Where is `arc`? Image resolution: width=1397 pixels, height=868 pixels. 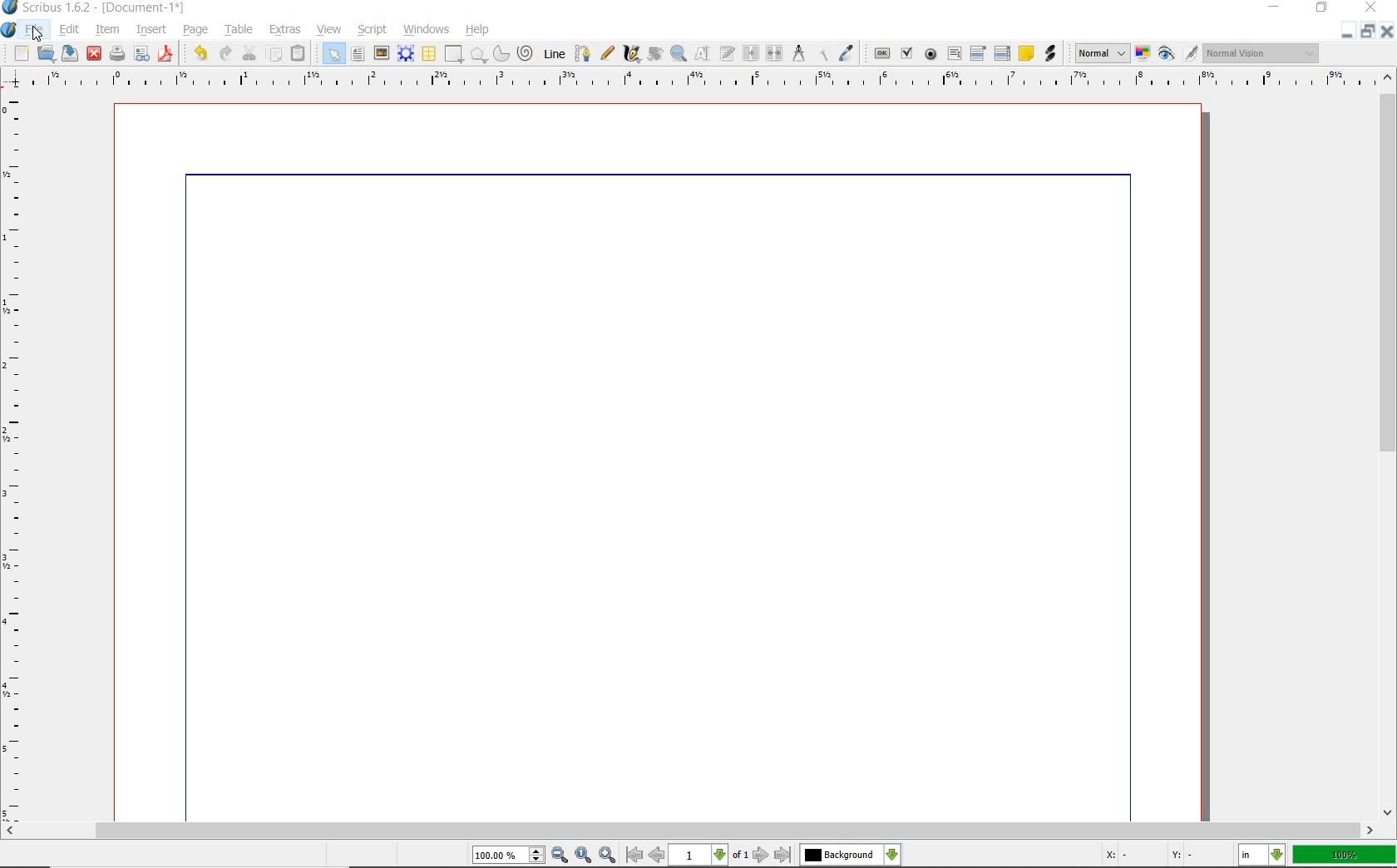
arc is located at coordinates (501, 53).